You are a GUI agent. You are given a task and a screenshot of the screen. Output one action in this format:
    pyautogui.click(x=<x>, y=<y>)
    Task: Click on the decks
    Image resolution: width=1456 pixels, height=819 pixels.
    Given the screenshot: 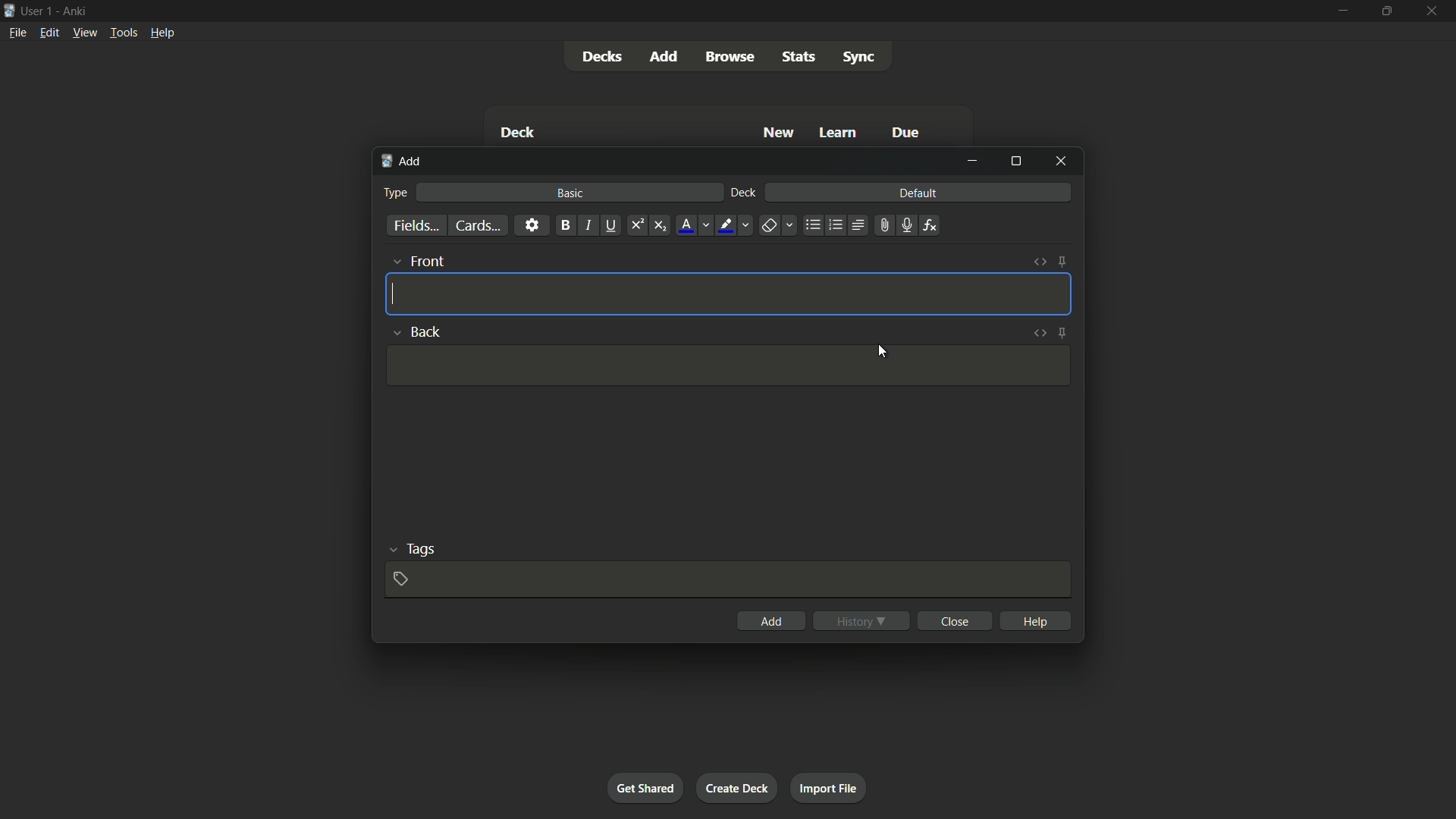 What is the action you would take?
    pyautogui.click(x=603, y=58)
    